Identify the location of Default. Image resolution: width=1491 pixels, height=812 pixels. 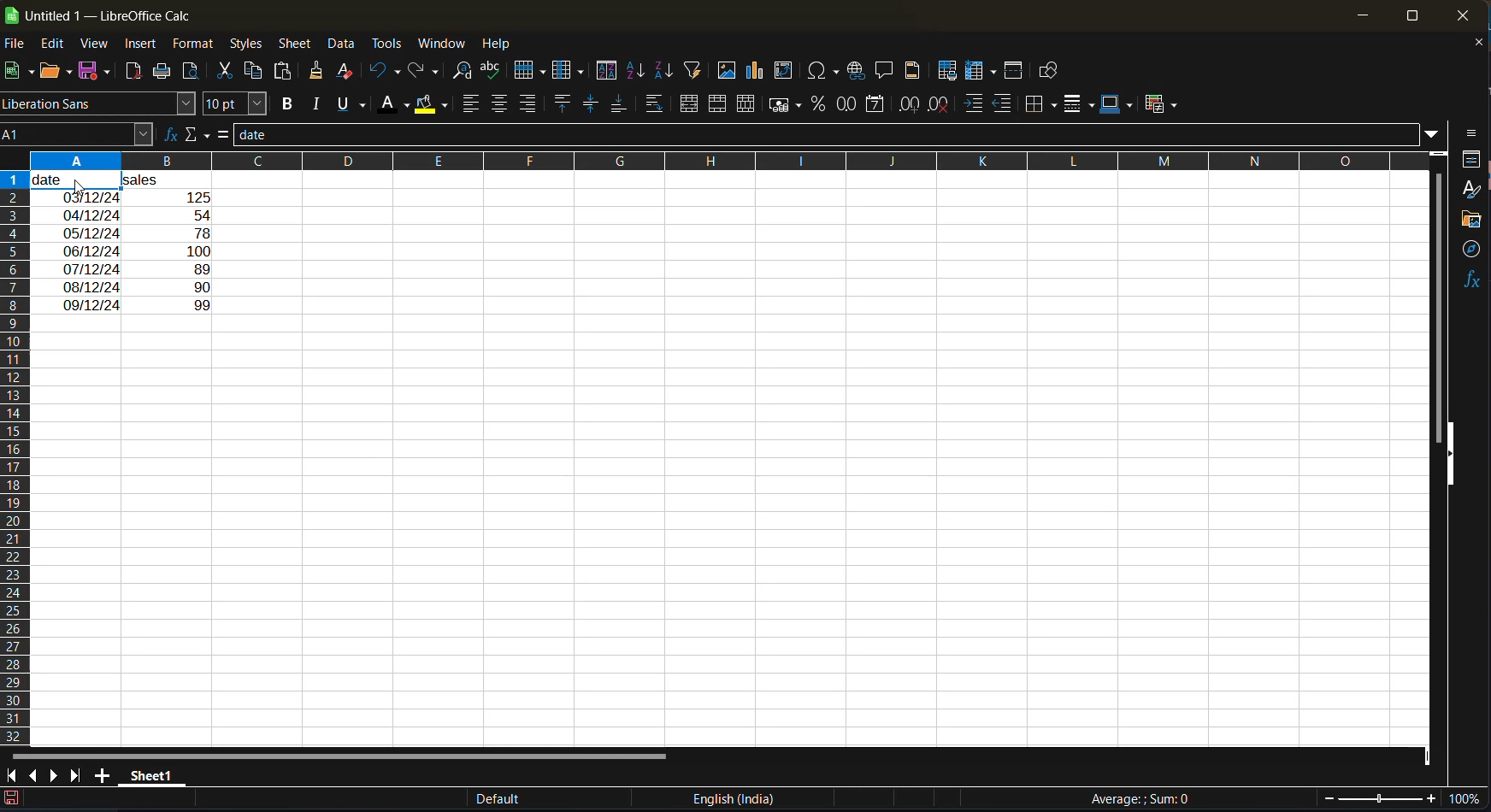
(495, 799).